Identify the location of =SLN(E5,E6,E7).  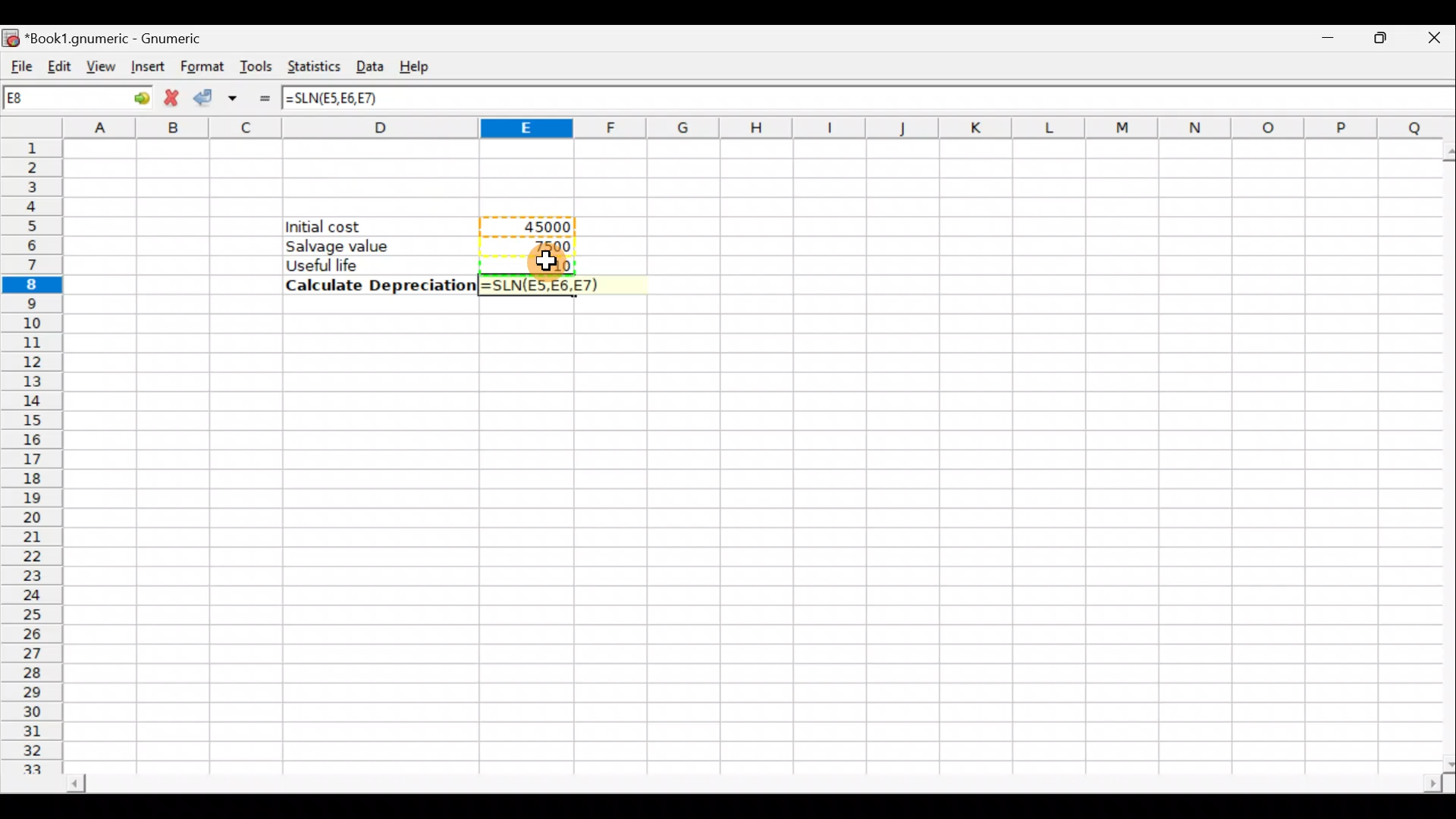
(338, 99).